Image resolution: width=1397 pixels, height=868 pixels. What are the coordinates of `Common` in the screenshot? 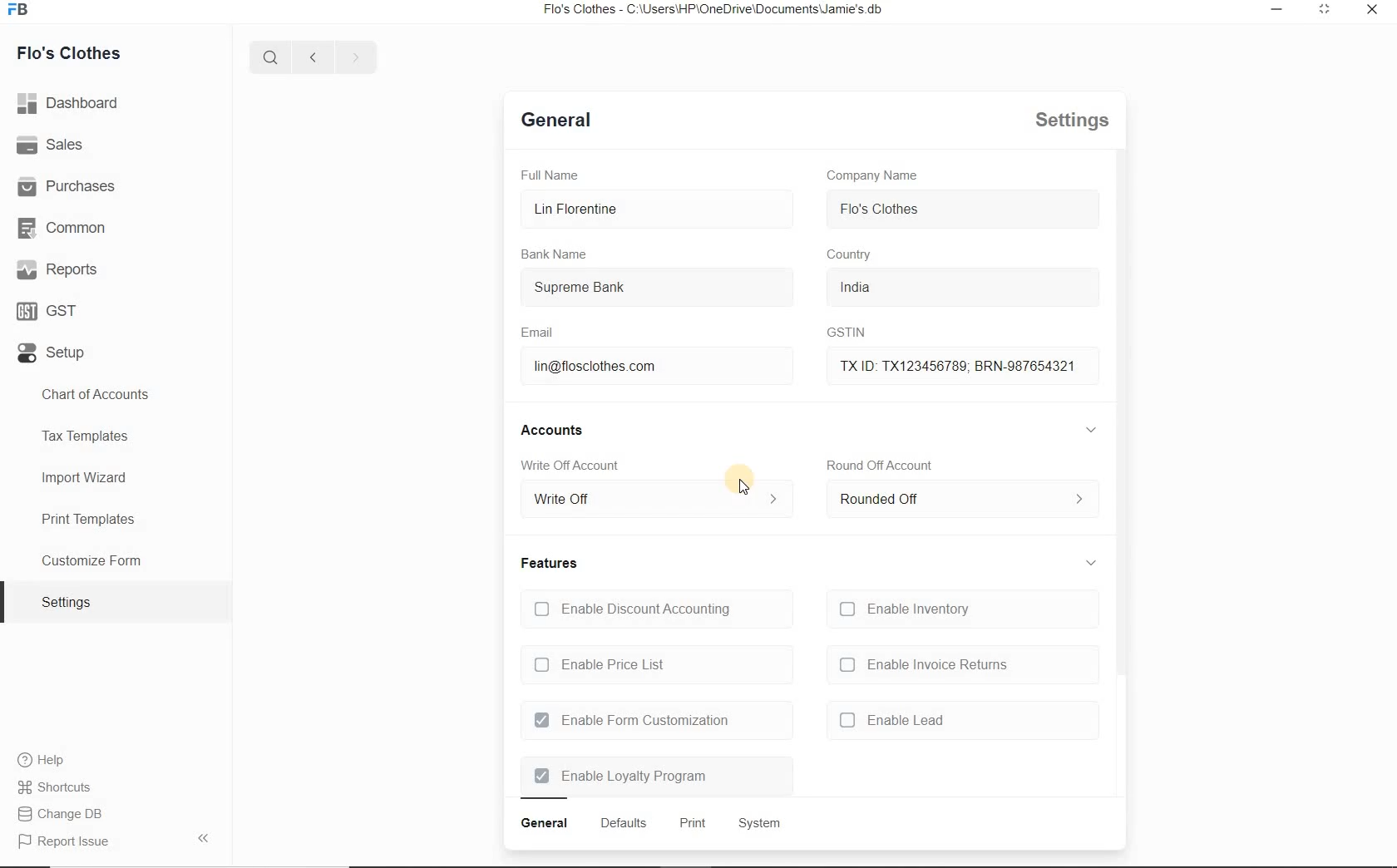 It's located at (66, 229).